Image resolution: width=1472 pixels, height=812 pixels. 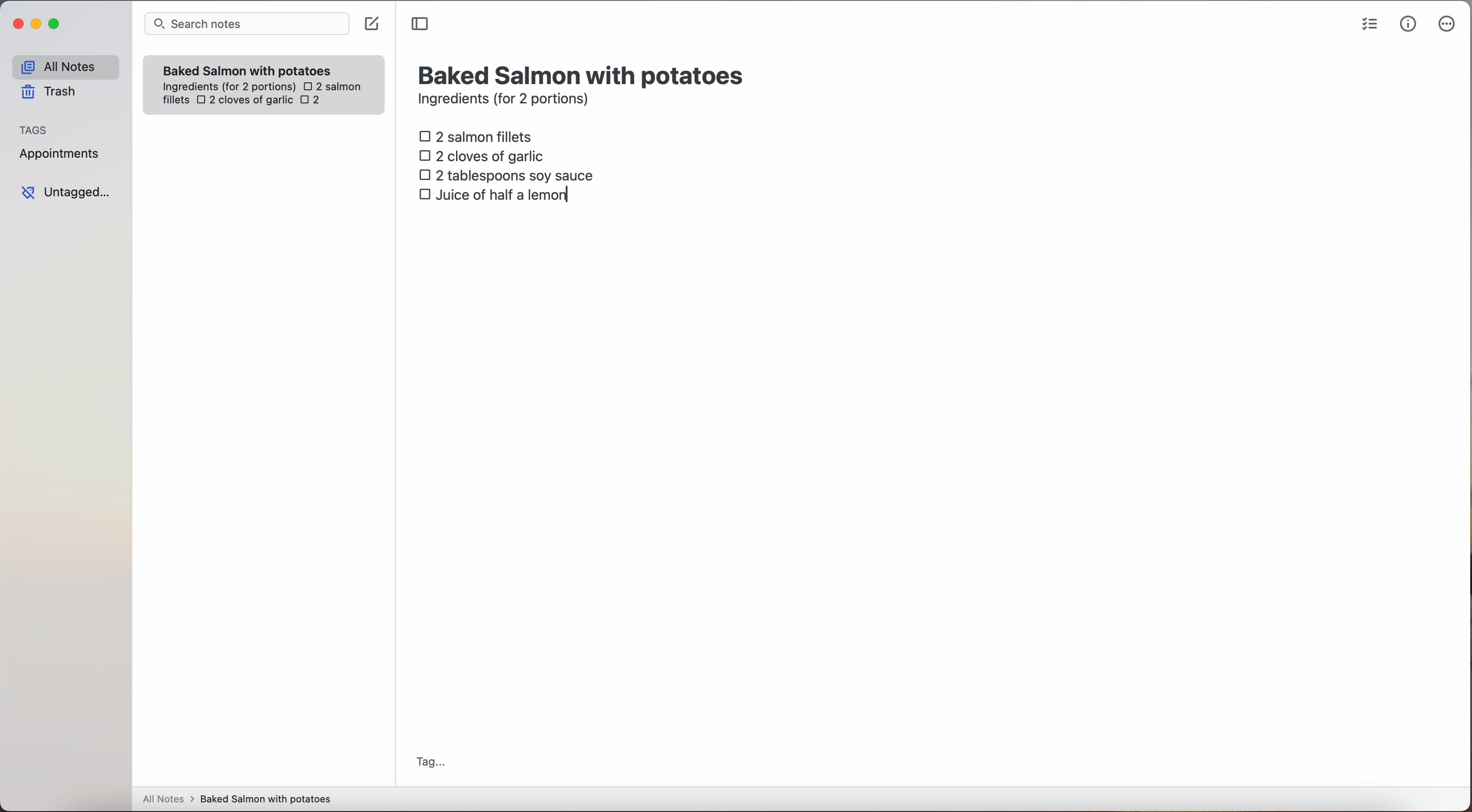 What do you see at coordinates (1370, 25) in the screenshot?
I see `check list` at bounding box center [1370, 25].